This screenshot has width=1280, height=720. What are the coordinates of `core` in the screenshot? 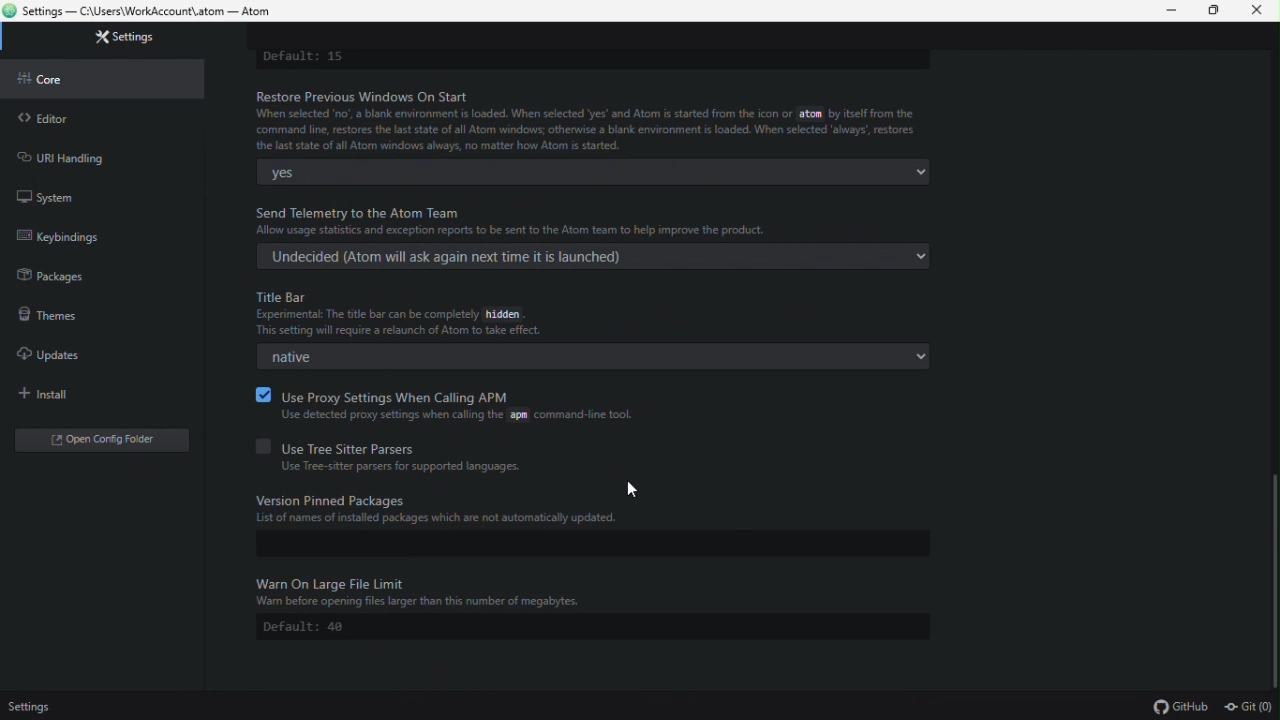 It's located at (55, 79).